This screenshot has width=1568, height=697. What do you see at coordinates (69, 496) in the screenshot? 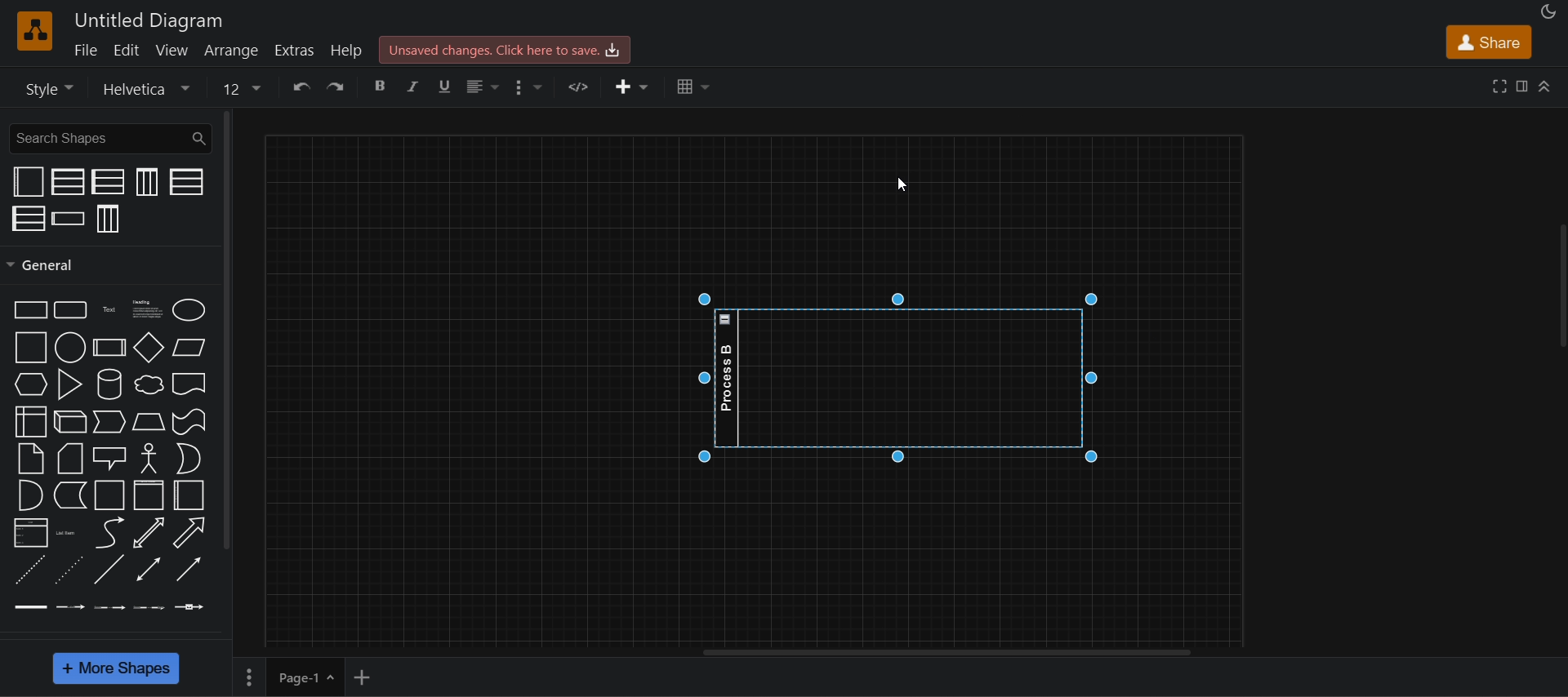
I see `data storage` at bounding box center [69, 496].